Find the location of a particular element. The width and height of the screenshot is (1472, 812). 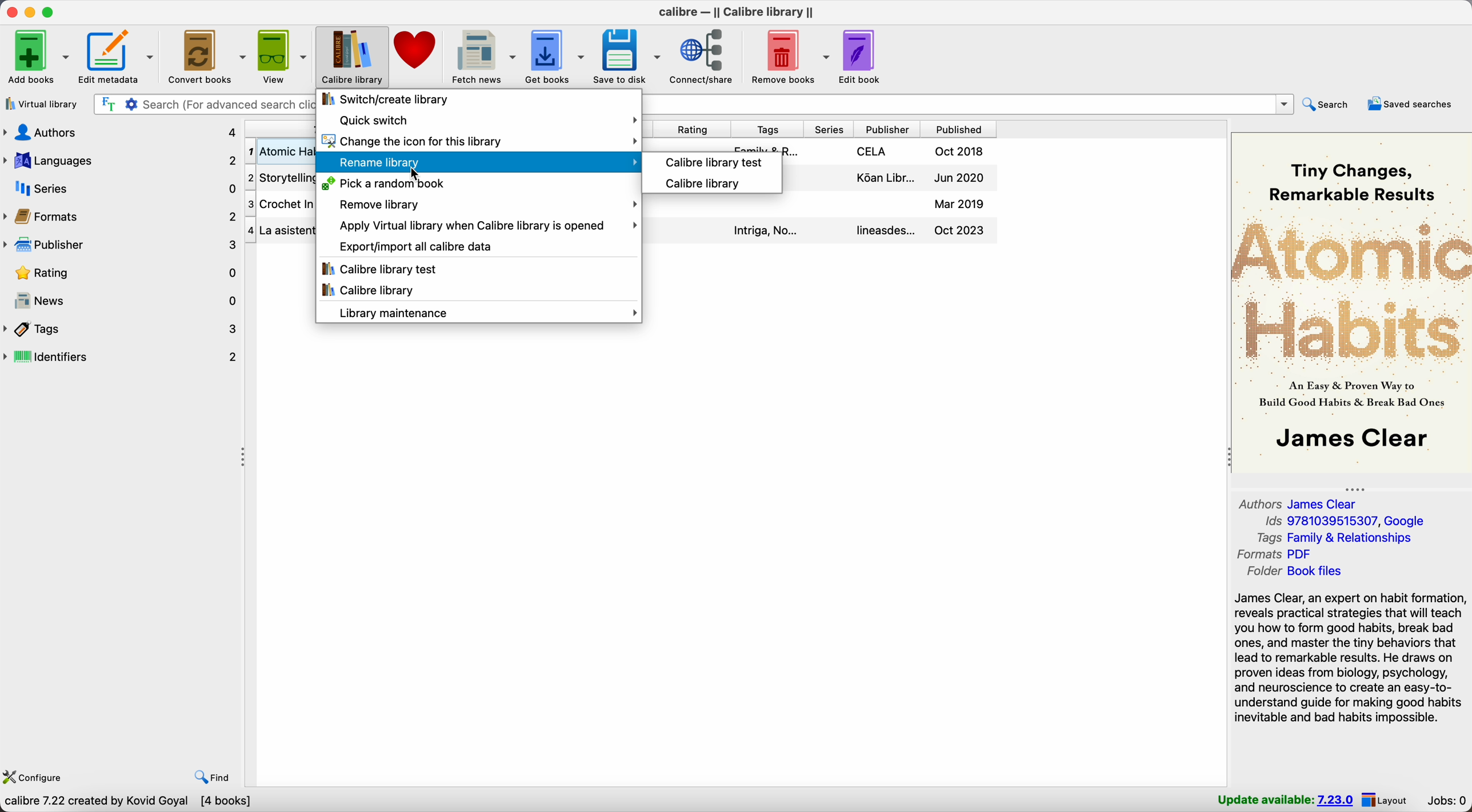

calibre library is located at coordinates (697, 183).